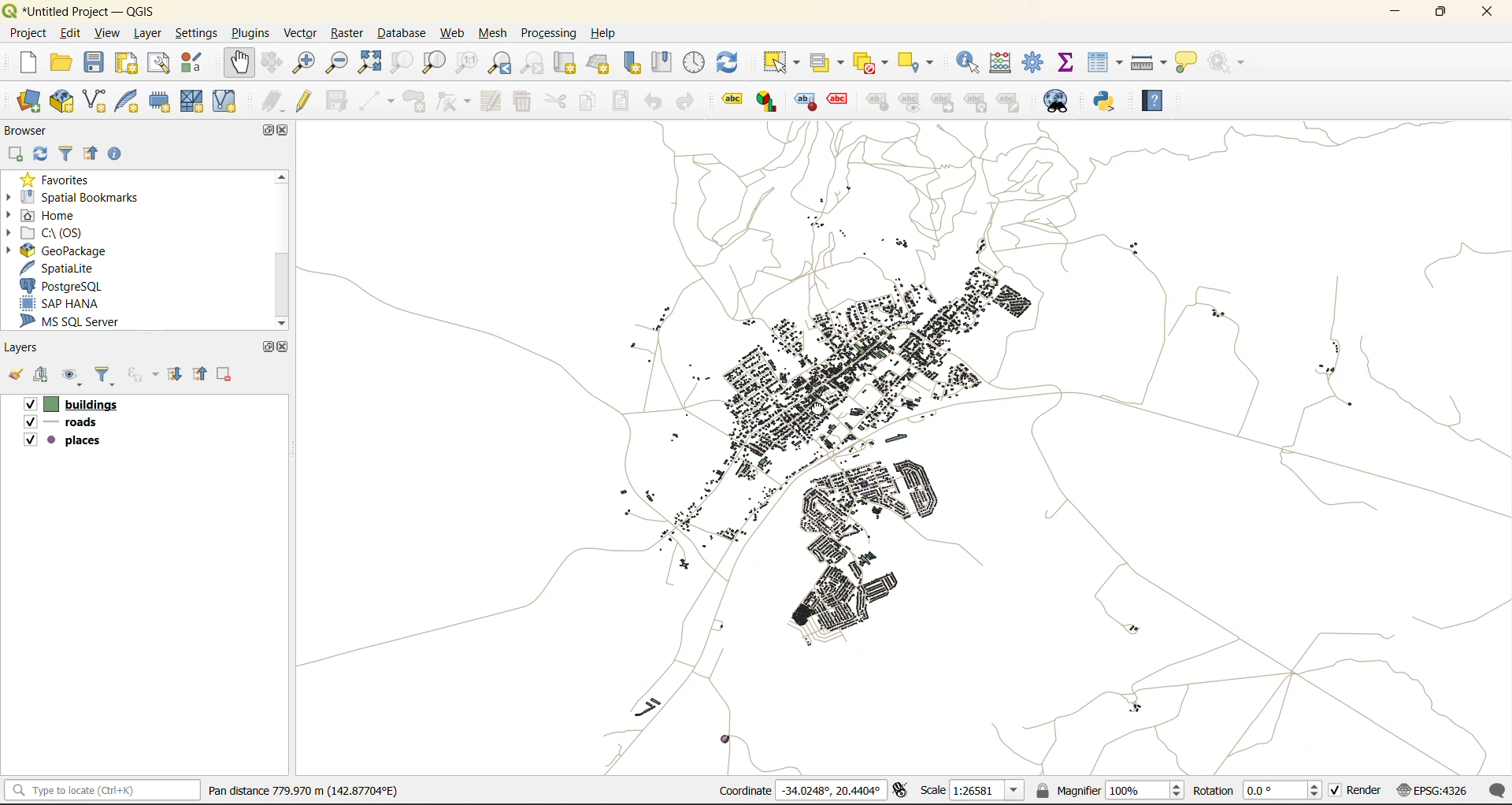 Image resolution: width=1512 pixels, height=805 pixels. Describe the element at coordinates (116, 153) in the screenshot. I see `enable properties` at that location.